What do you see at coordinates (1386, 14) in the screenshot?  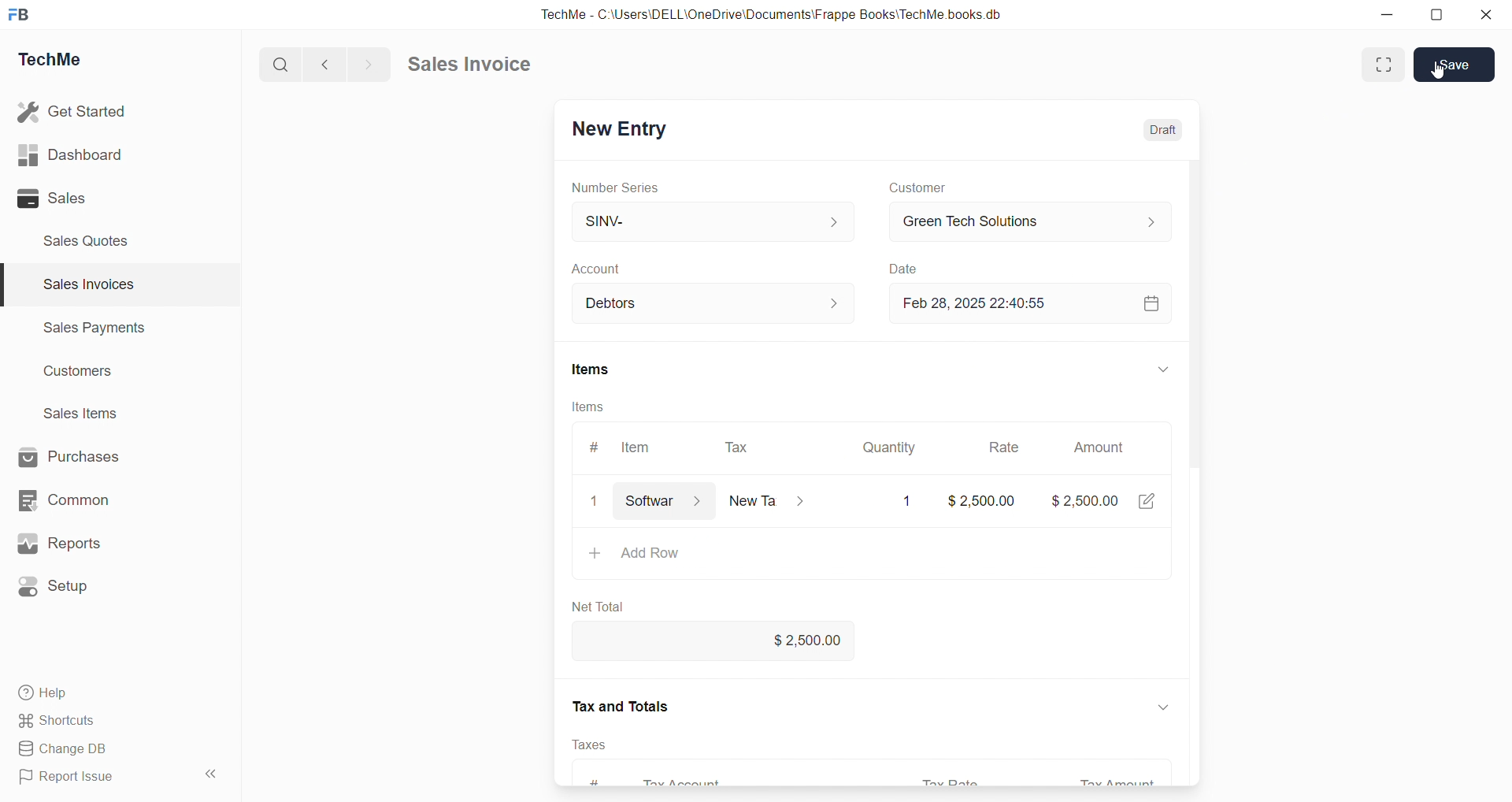 I see `minimize` at bounding box center [1386, 14].